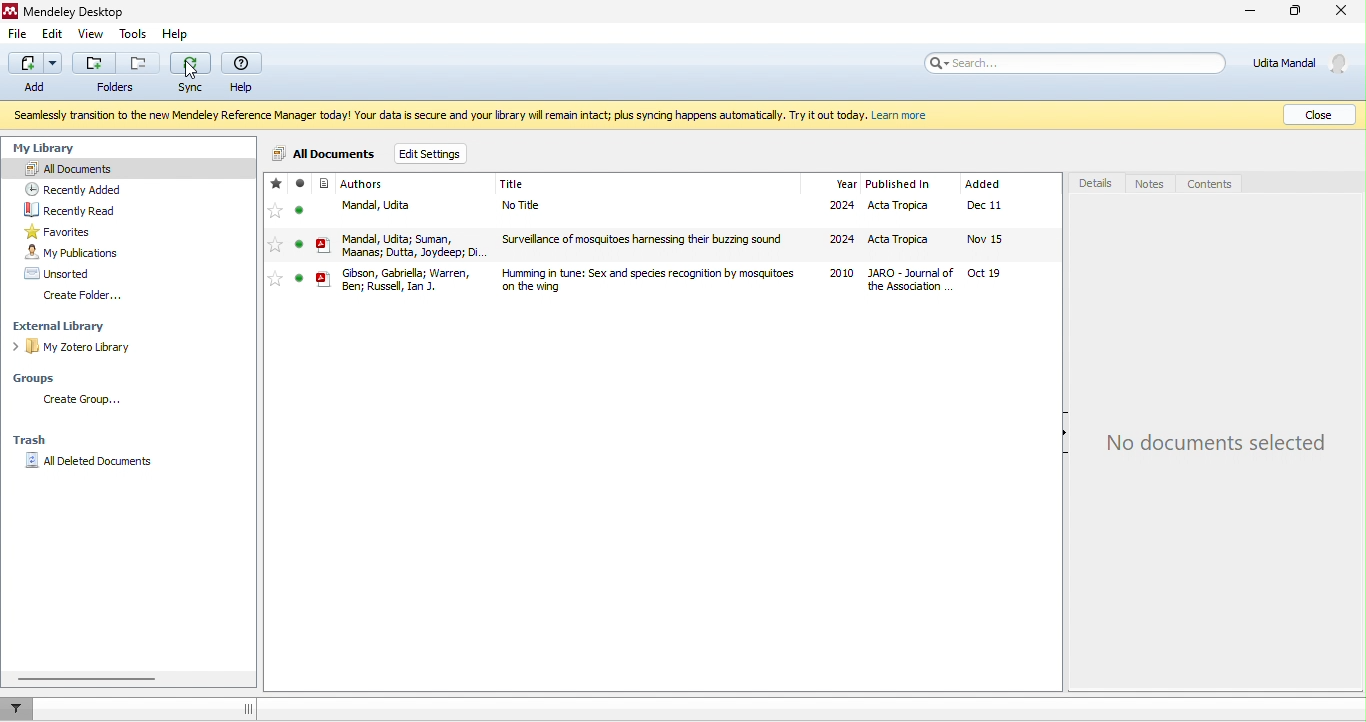  Describe the element at coordinates (131, 35) in the screenshot. I see `tools` at that location.